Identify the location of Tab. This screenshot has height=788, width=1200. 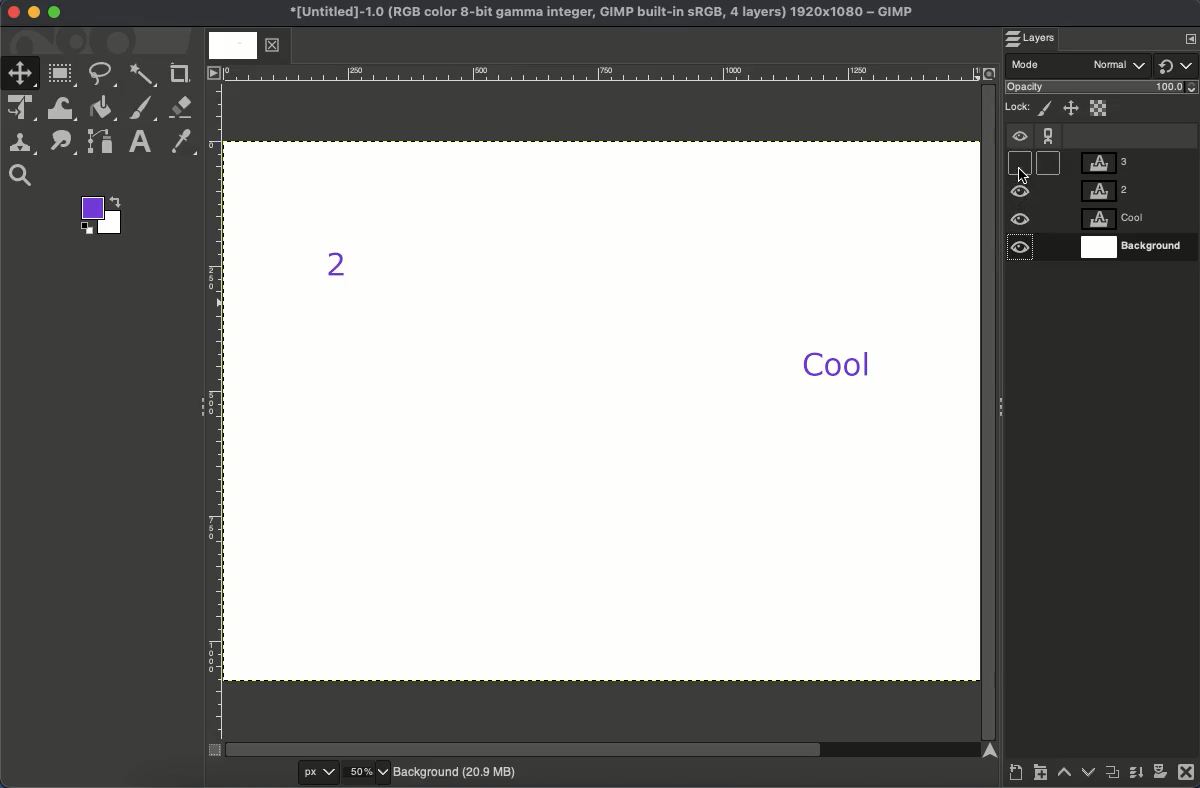
(243, 46).